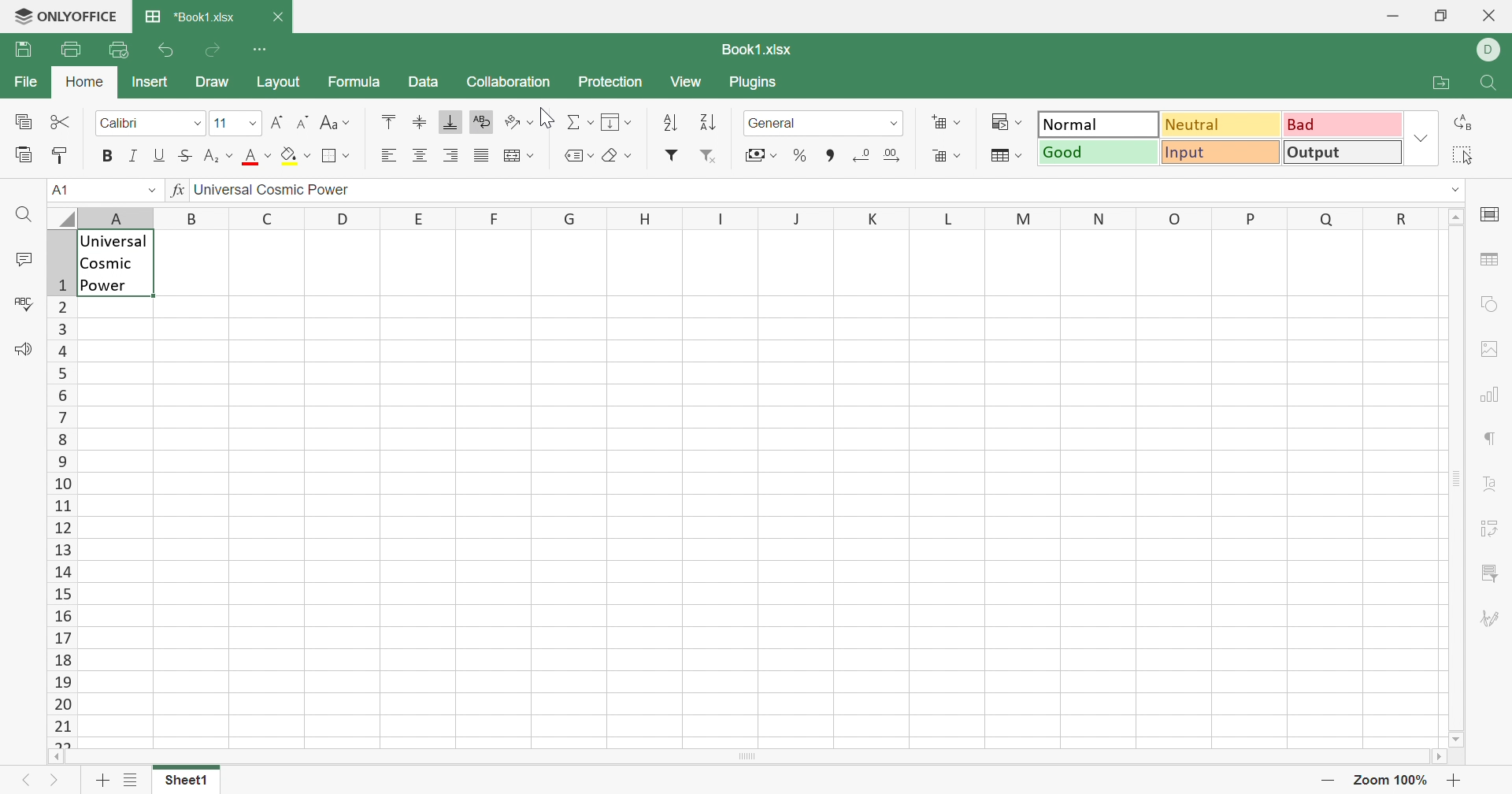 The image size is (1512, 794). What do you see at coordinates (1396, 15) in the screenshot?
I see `Minimize` at bounding box center [1396, 15].